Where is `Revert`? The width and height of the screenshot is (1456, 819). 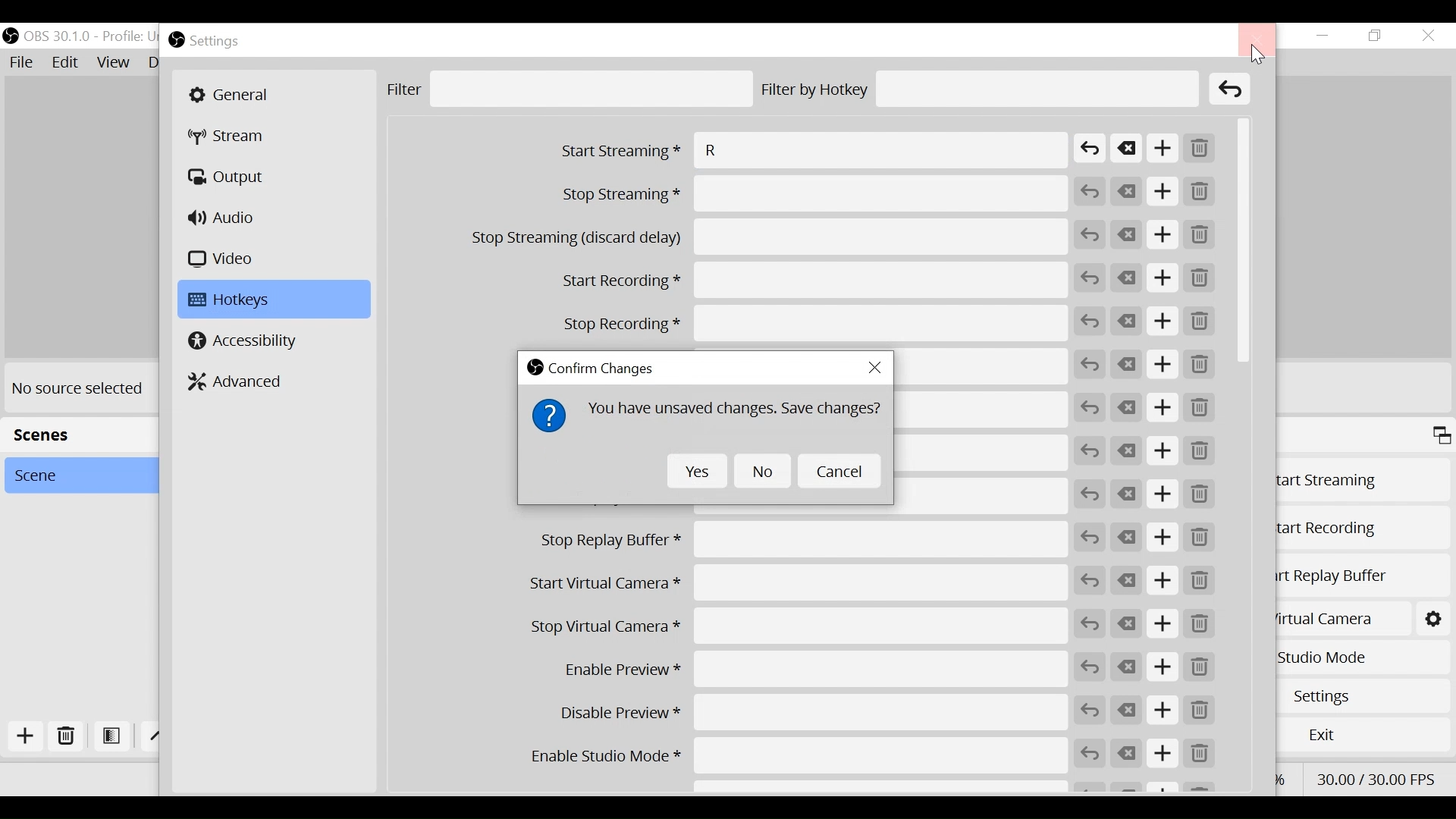 Revert is located at coordinates (1090, 278).